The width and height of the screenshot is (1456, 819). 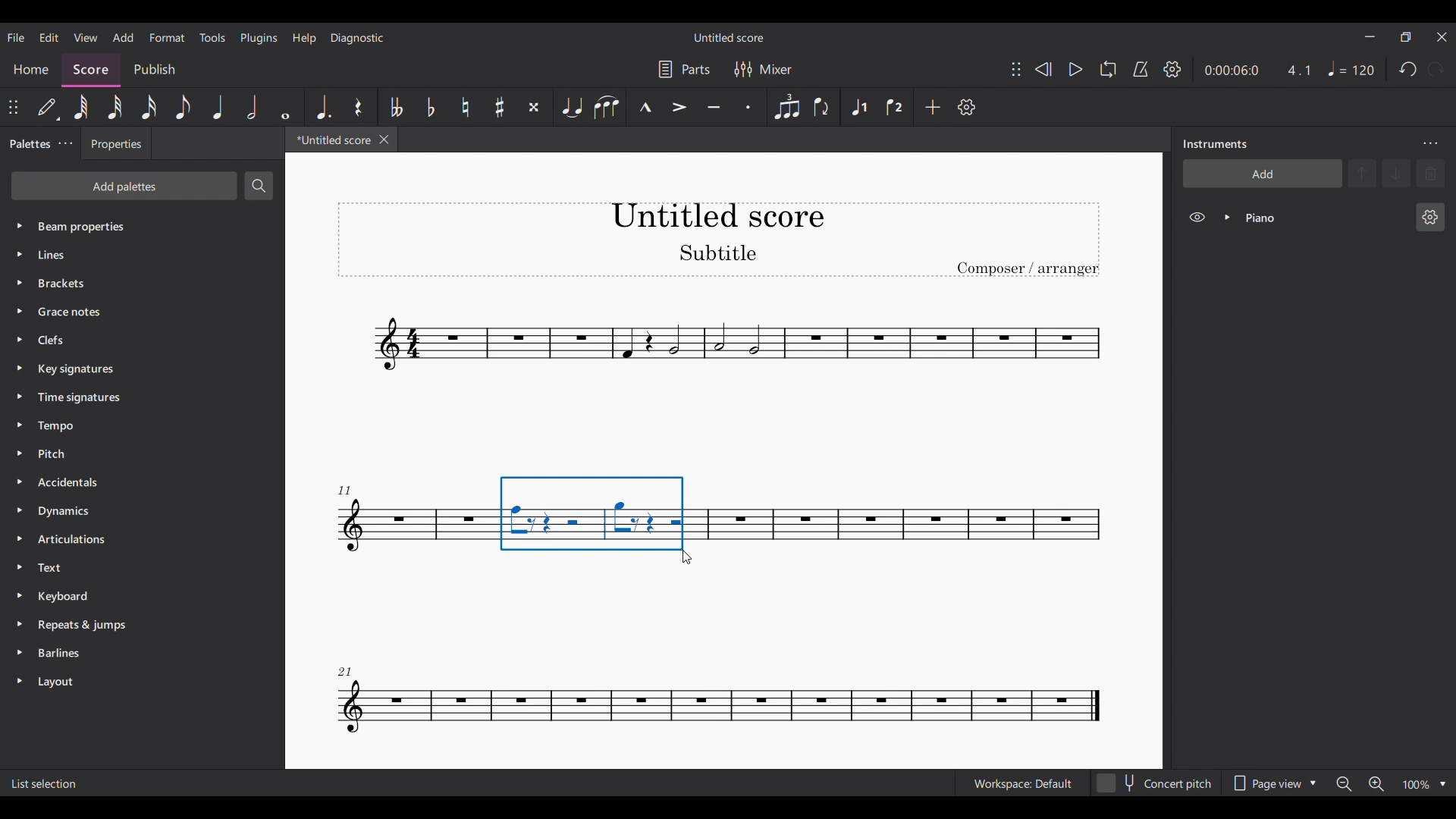 I want to click on Tuplet, so click(x=787, y=107).